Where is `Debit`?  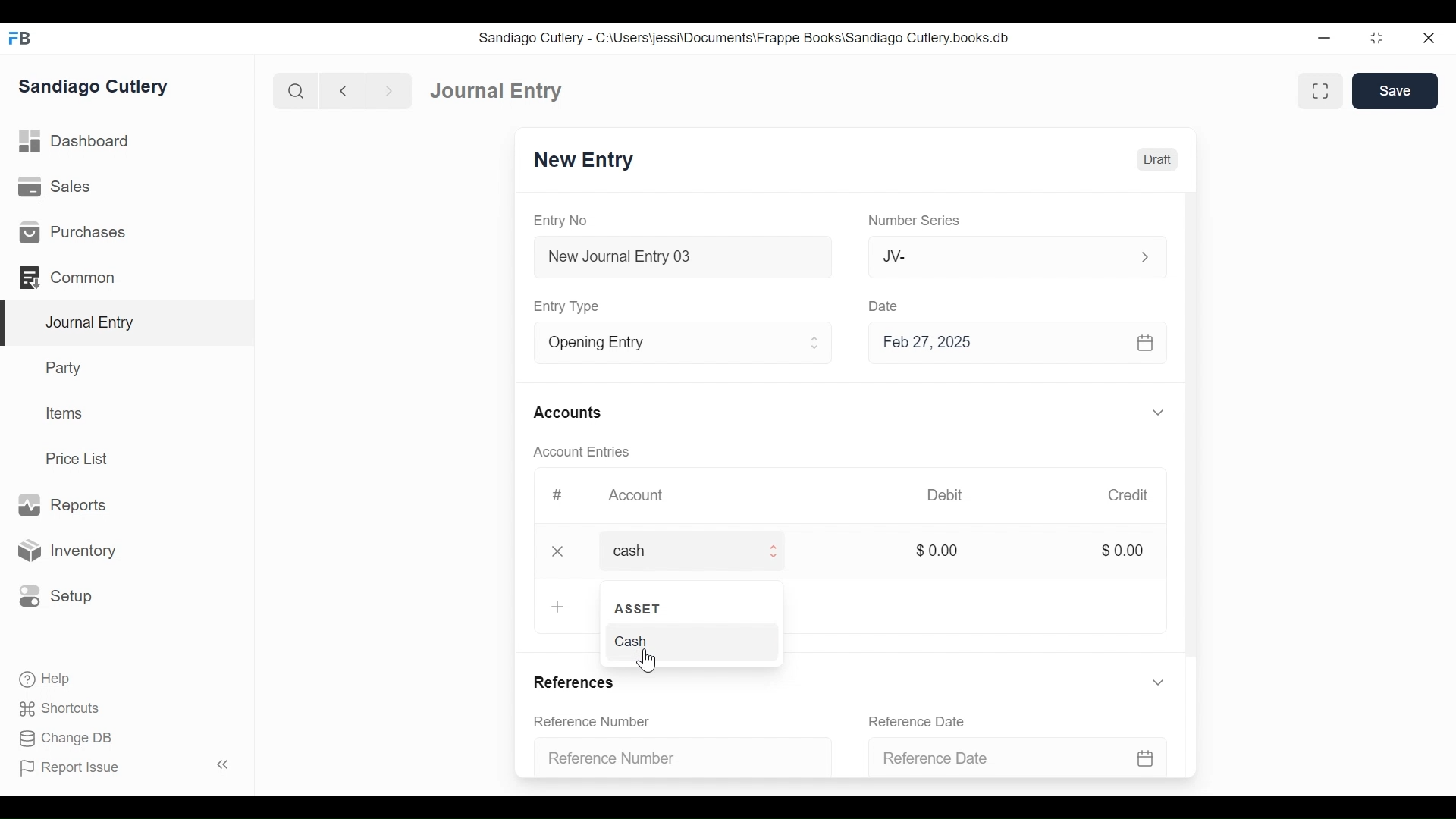
Debit is located at coordinates (946, 494).